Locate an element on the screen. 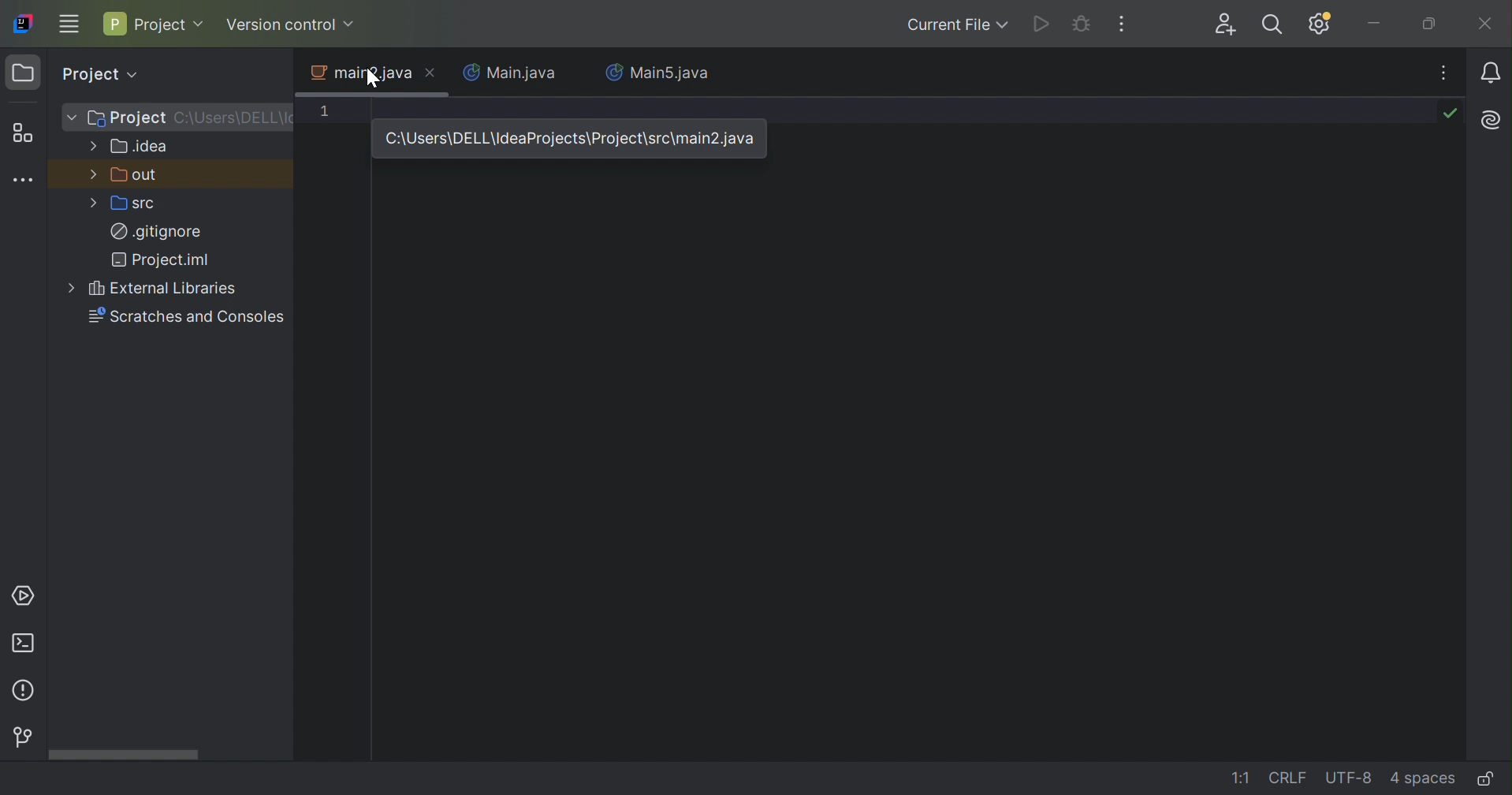 The image size is (1512, 795). C:\Users\DELL\ is located at coordinates (233, 118).